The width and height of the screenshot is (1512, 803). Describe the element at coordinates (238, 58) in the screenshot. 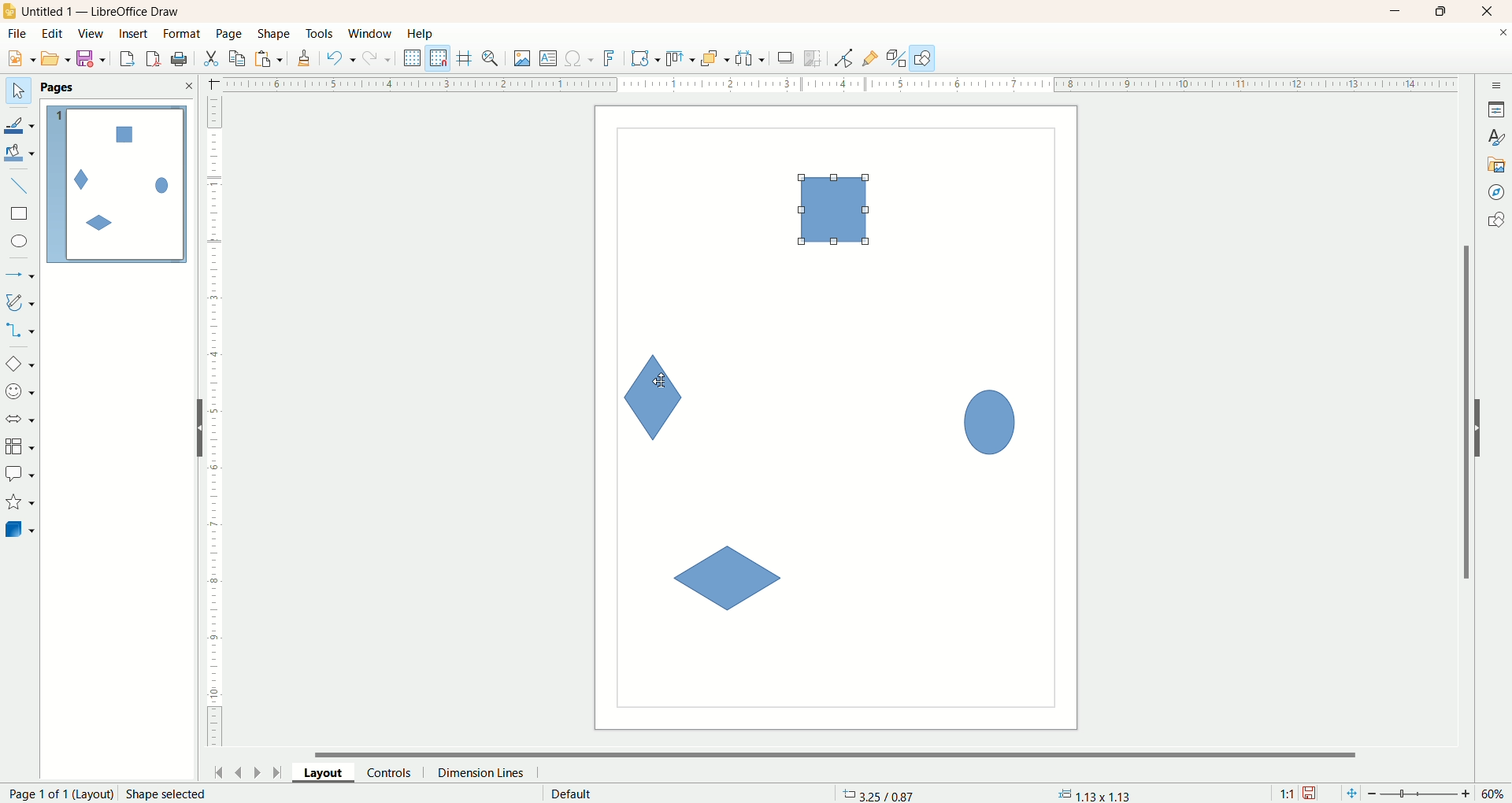

I see `copy` at that location.